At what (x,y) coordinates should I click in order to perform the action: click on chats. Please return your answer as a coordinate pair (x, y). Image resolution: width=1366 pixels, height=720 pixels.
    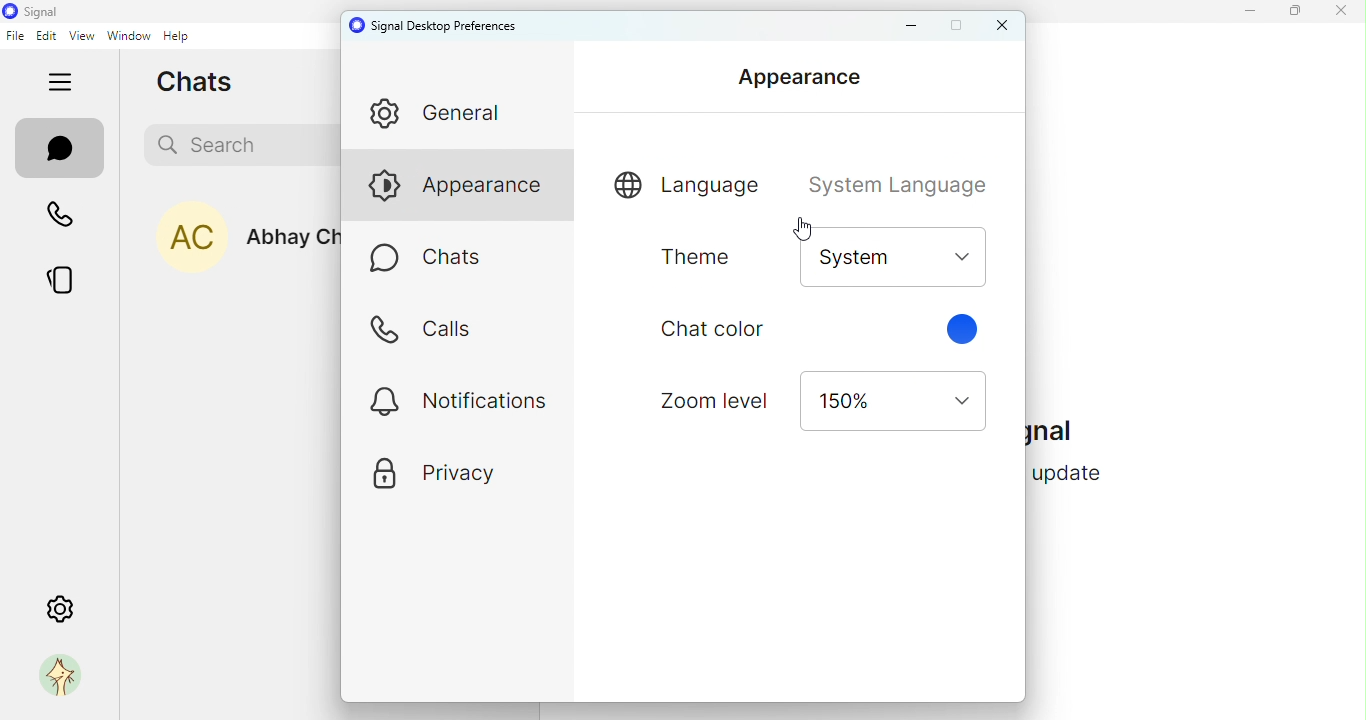
    Looking at the image, I should click on (60, 149).